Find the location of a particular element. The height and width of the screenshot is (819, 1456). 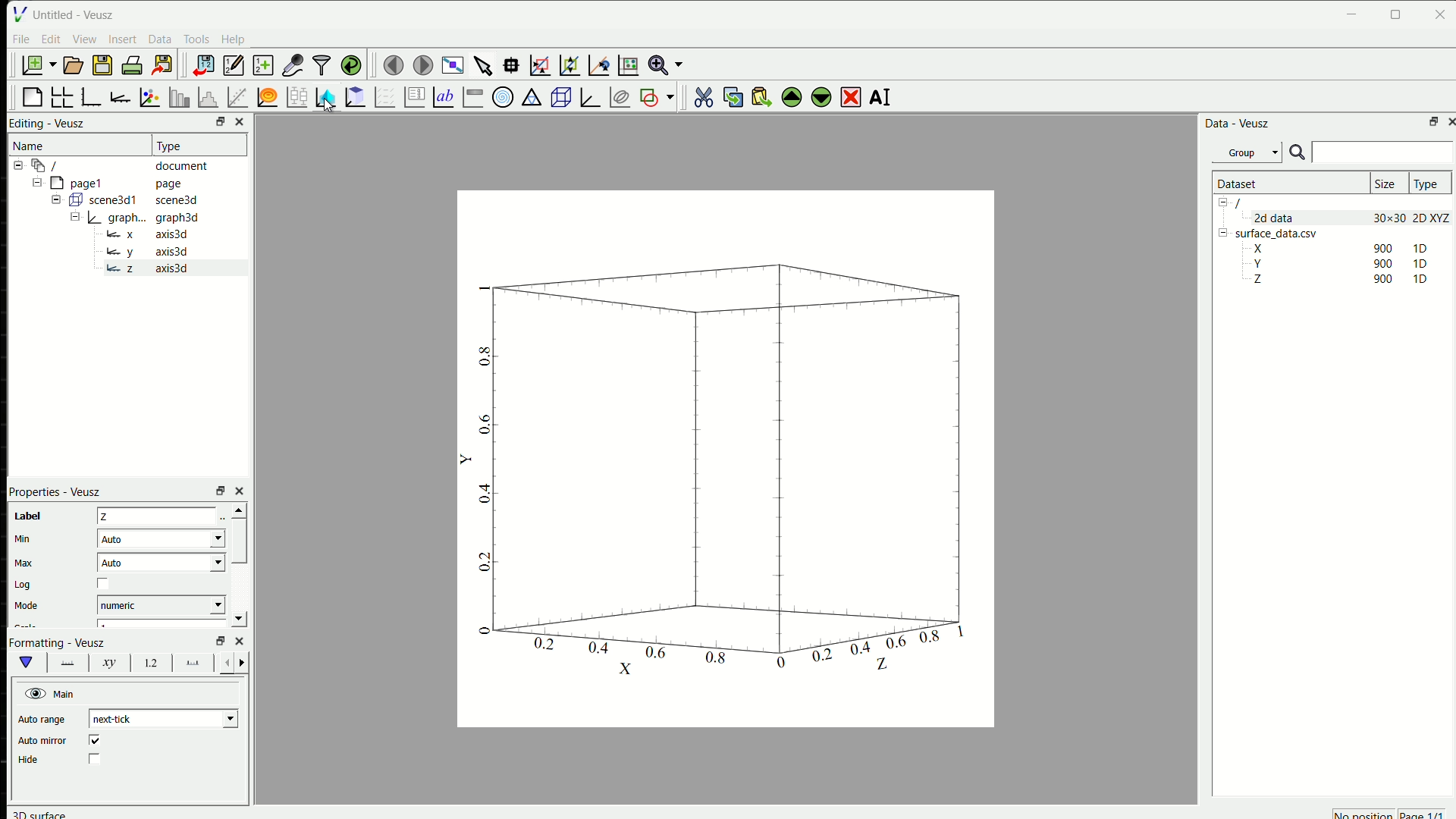

close is located at coordinates (1440, 13).